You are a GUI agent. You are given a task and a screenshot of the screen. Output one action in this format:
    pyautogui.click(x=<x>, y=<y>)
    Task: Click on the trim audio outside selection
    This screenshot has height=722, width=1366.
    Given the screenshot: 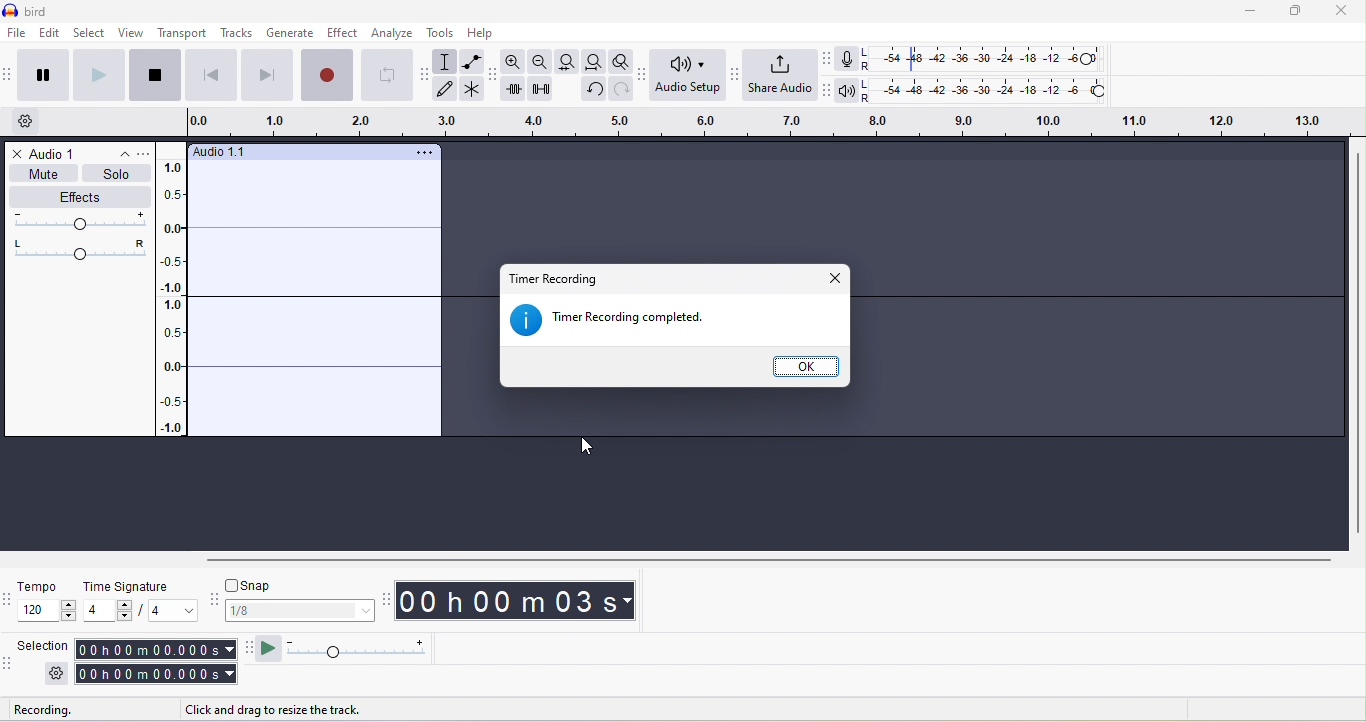 What is the action you would take?
    pyautogui.click(x=515, y=91)
    